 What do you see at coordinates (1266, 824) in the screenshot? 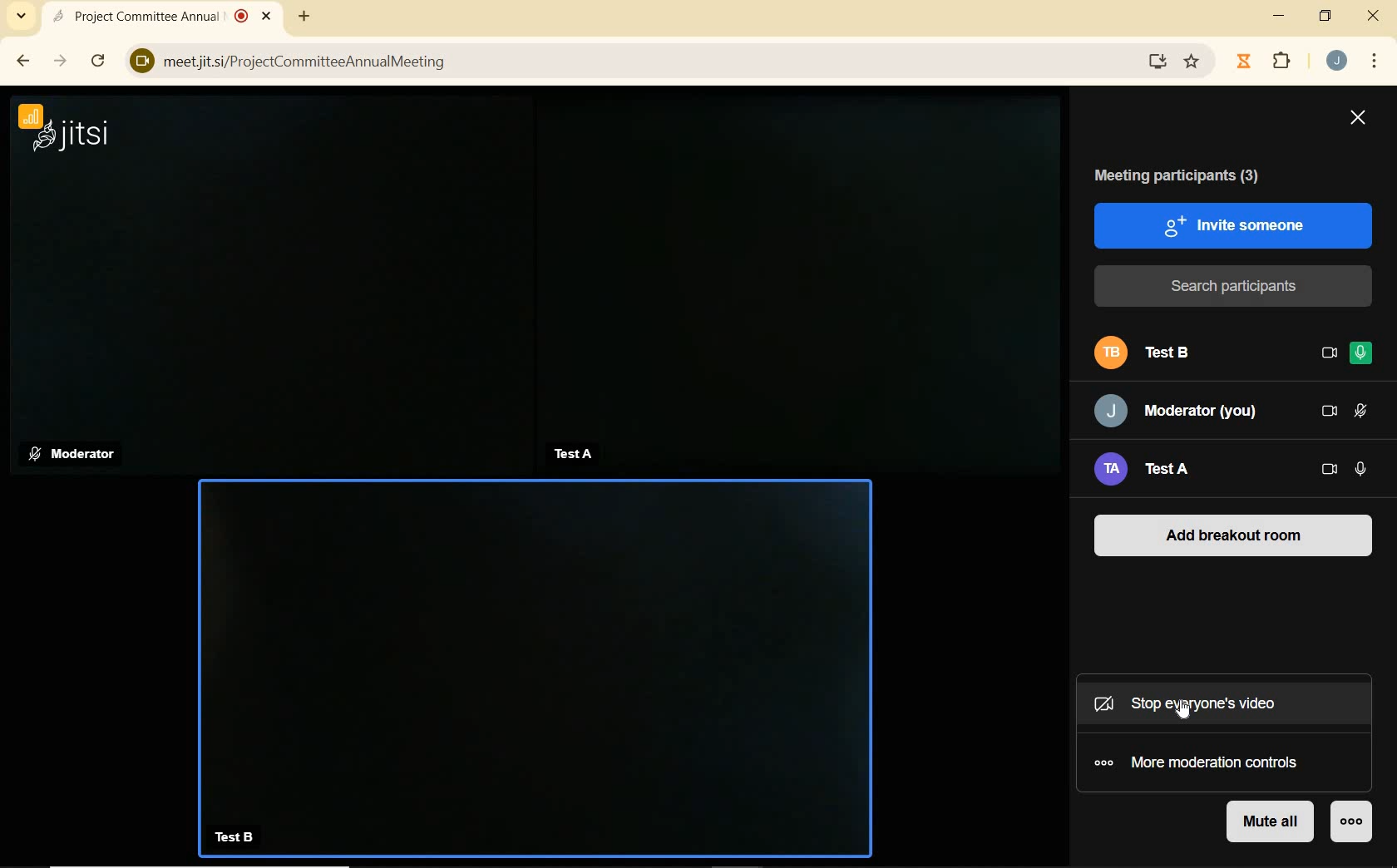
I see `MUTE ALL` at bounding box center [1266, 824].